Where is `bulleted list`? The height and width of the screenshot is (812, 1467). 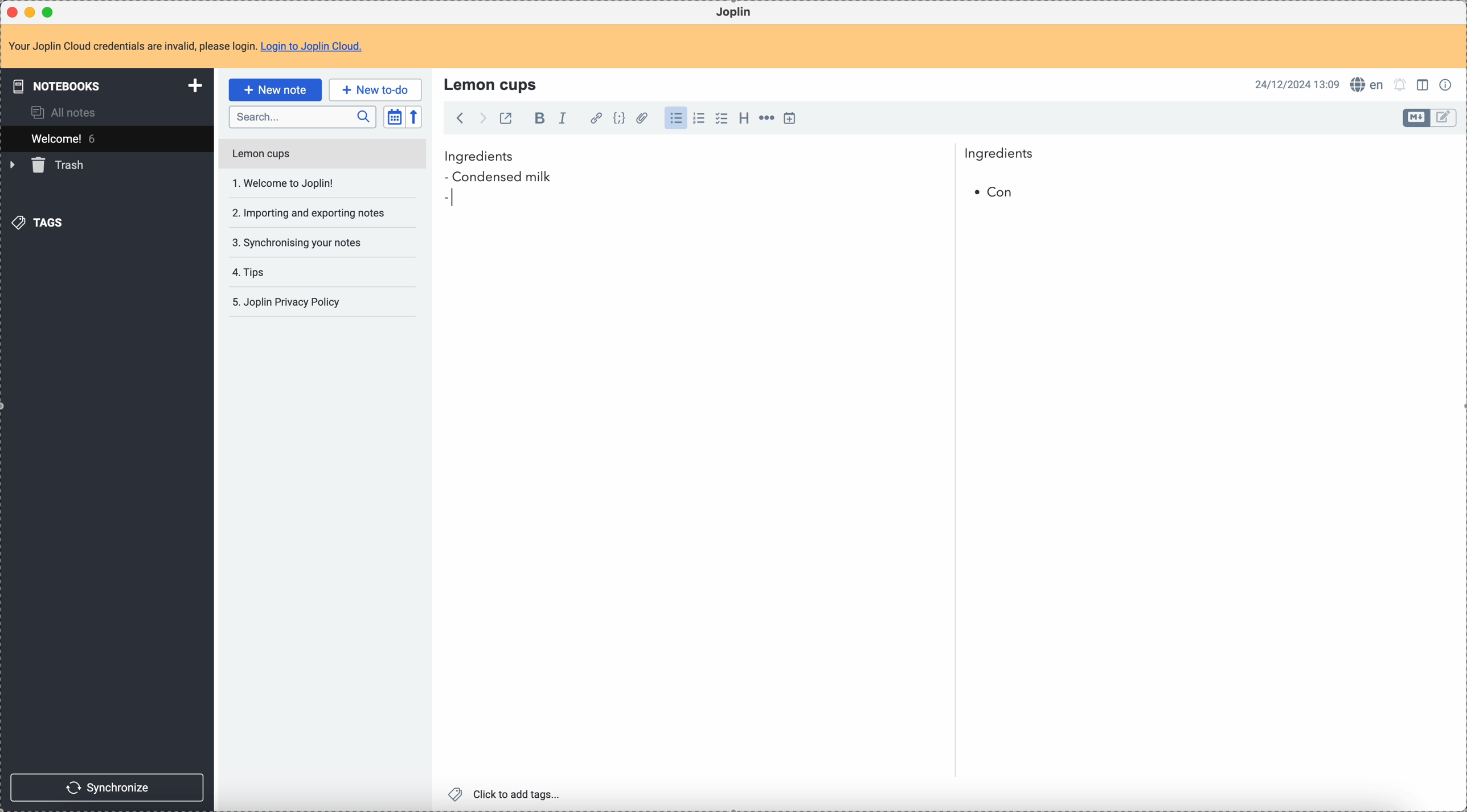 bulleted list is located at coordinates (674, 118).